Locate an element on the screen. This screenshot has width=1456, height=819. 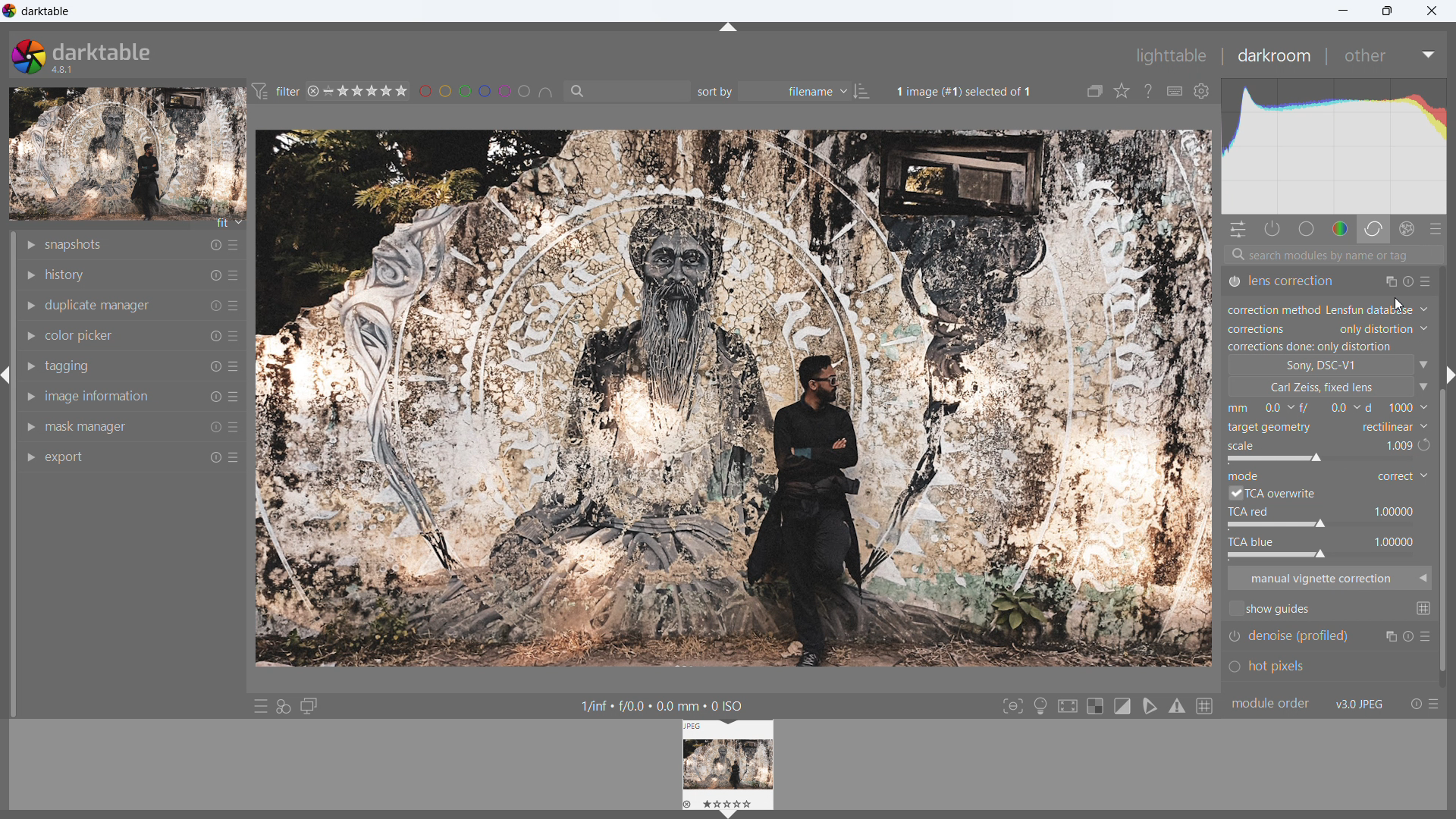
darktable is located at coordinates (103, 51).